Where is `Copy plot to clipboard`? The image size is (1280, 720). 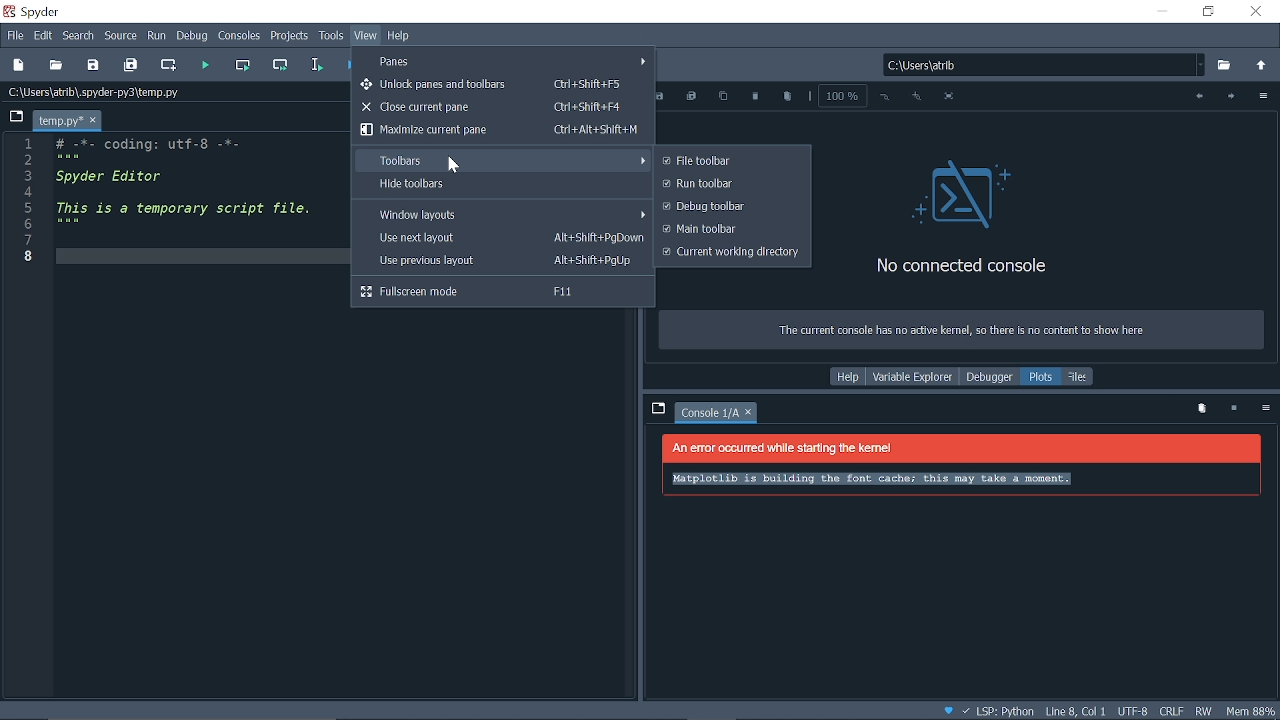
Copy plot to clipboard is located at coordinates (723, 98).